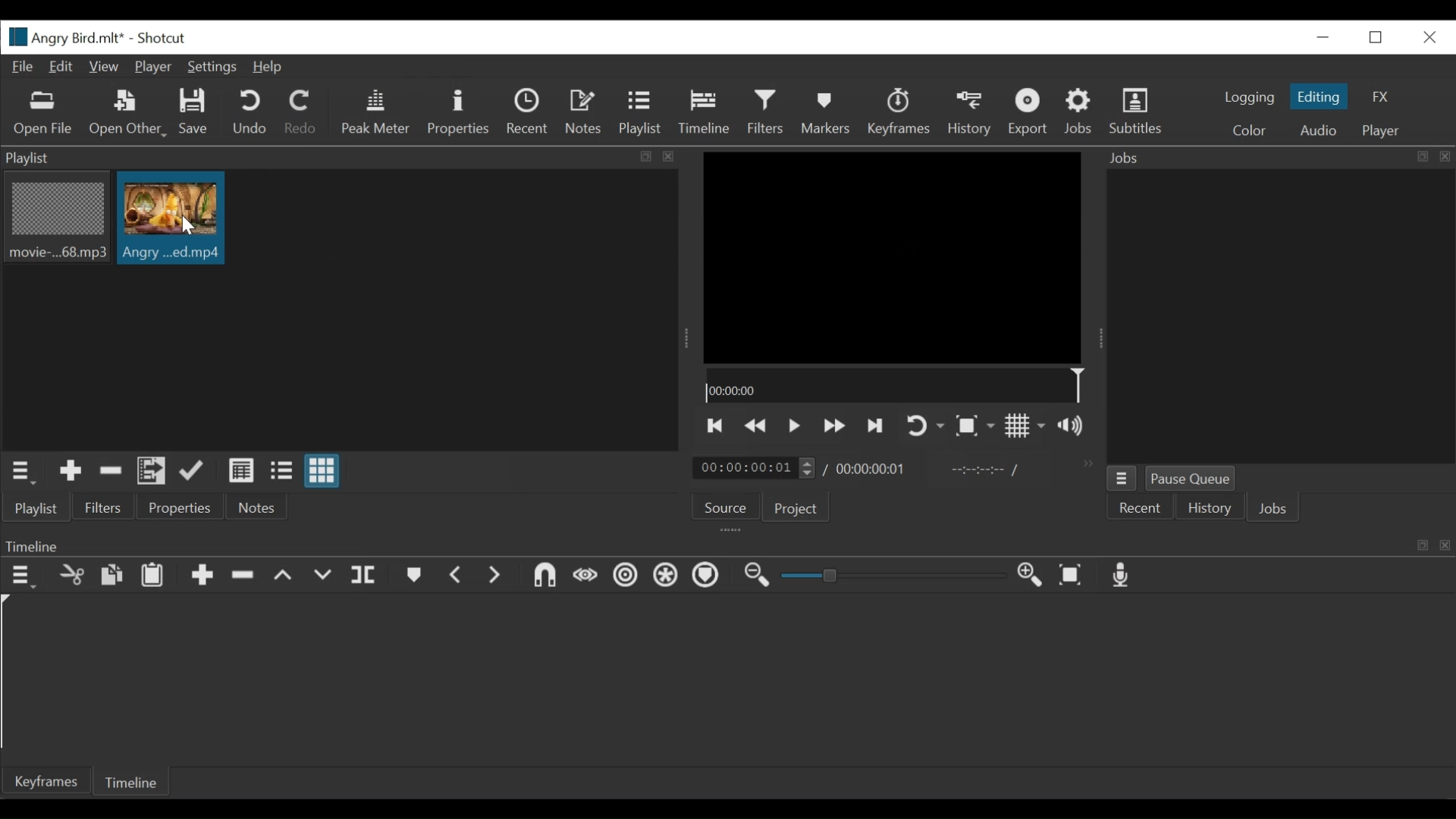  What do you see at coordinates (1191, 477) in the screenshot?
I see `Pause Queue` at bounding box center [1191, 477].